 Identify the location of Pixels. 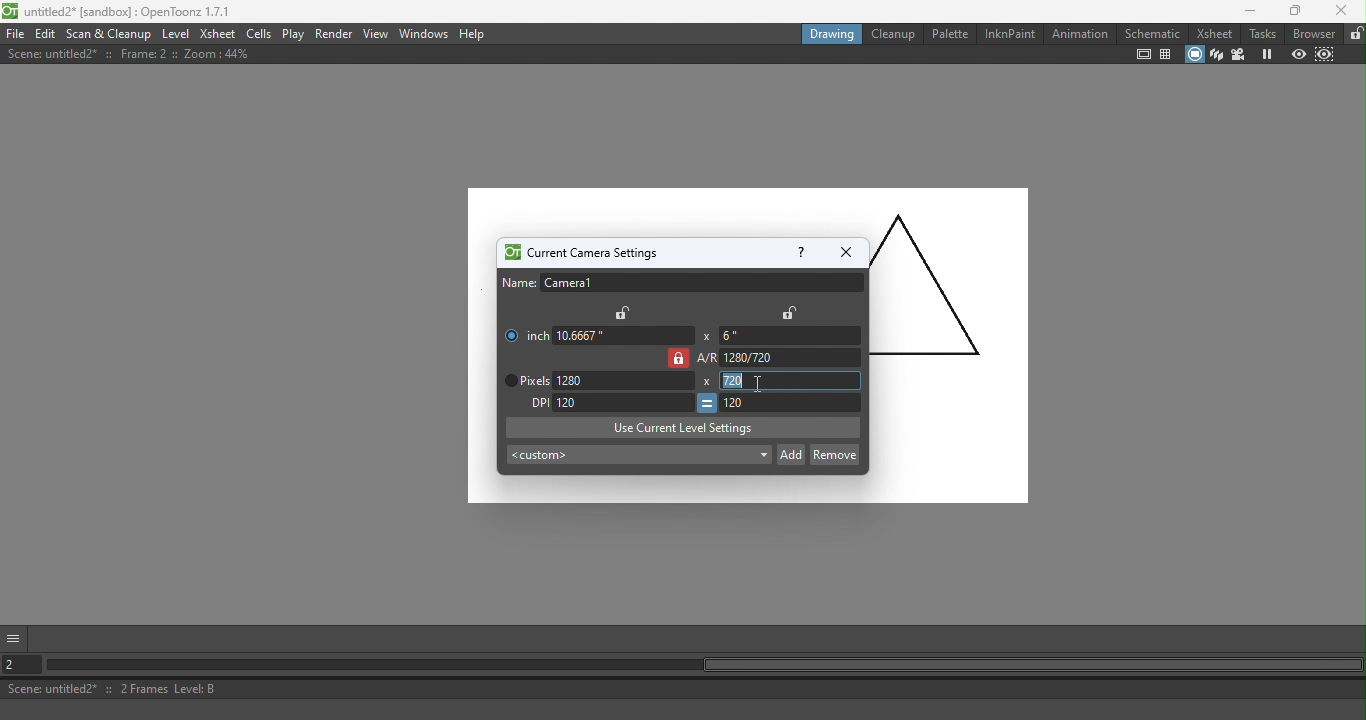
(523, 381).